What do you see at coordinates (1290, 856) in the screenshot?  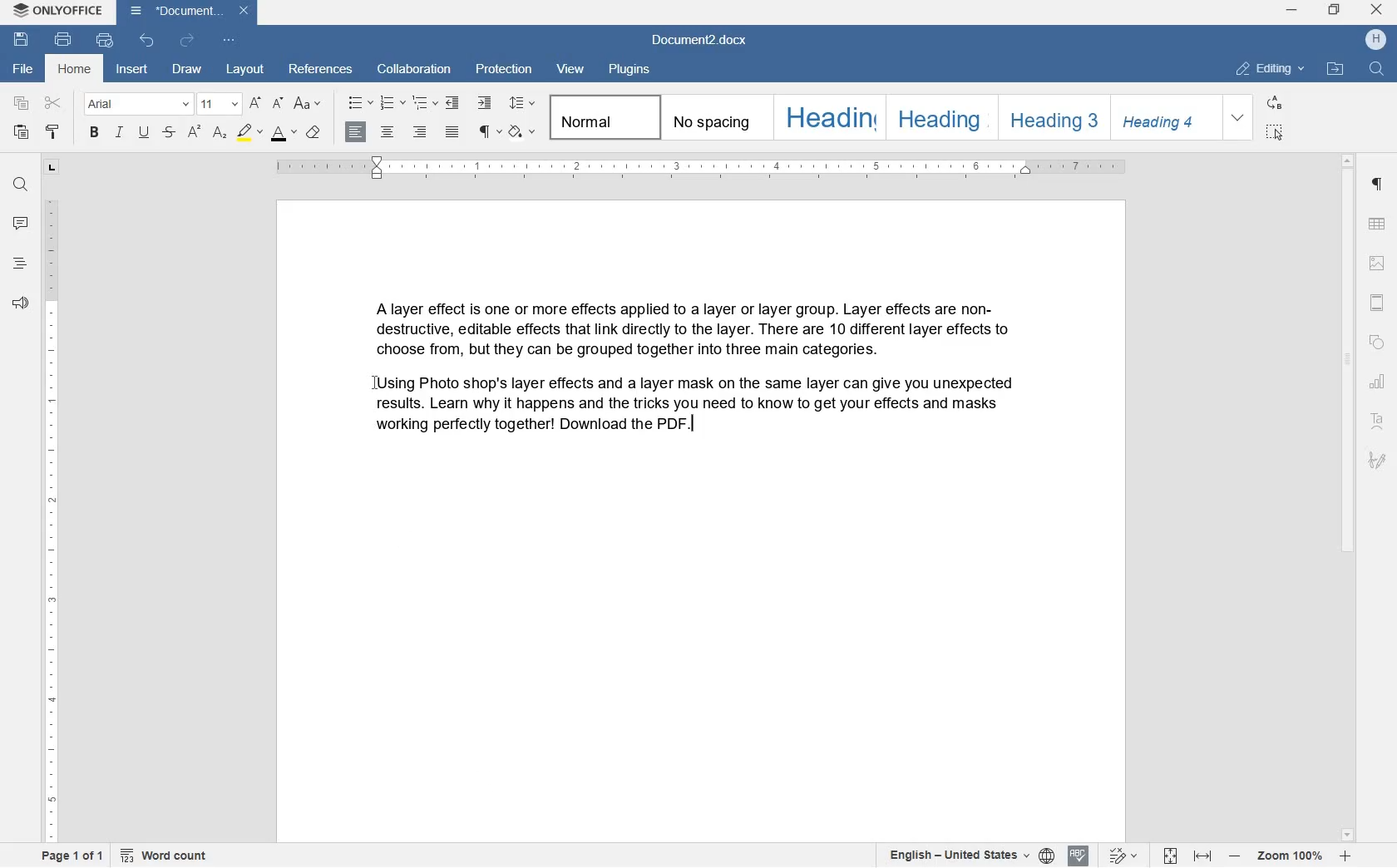 I see `ZOOM IN OR ZOOM OUT` at bounding box center [1290, 856].